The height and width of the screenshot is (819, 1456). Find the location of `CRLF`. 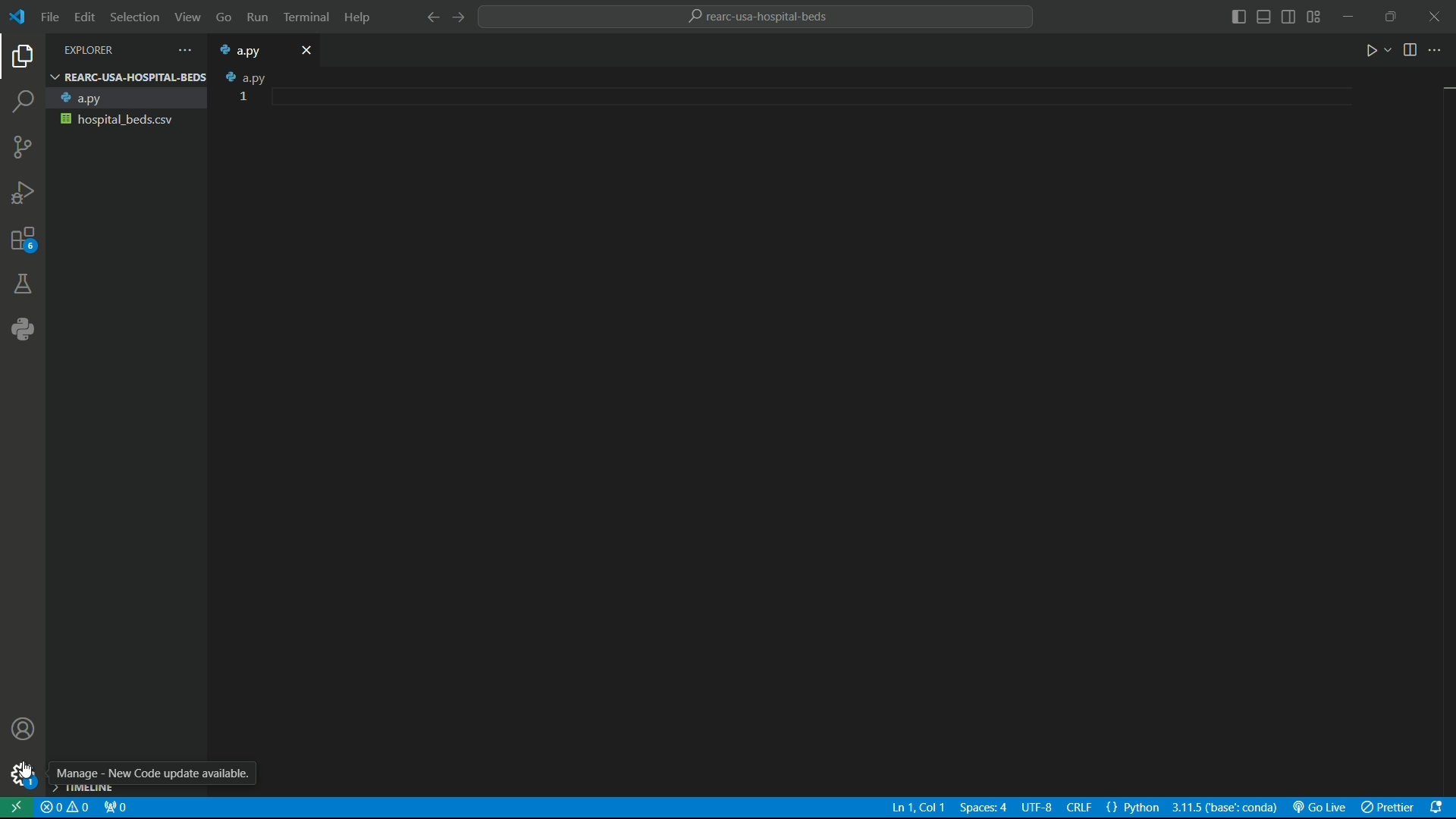

CRLF is located at coordinates (1065, 808).